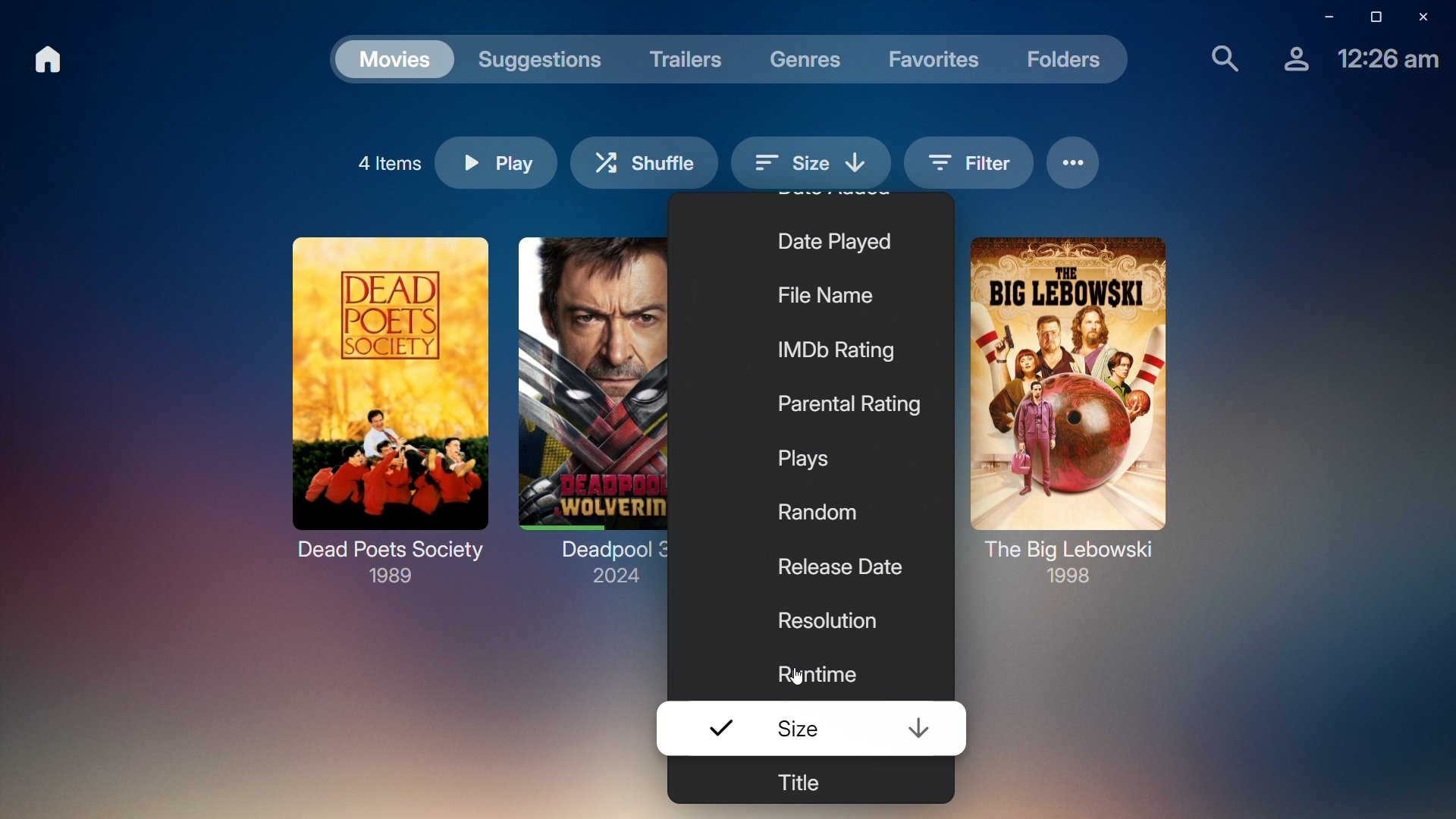 The height and width of the screenshot is (819, 1456). What do you see at coordinates (801, 461) in the screenshot?
I see `Plays` at bounding box center [801, 461].